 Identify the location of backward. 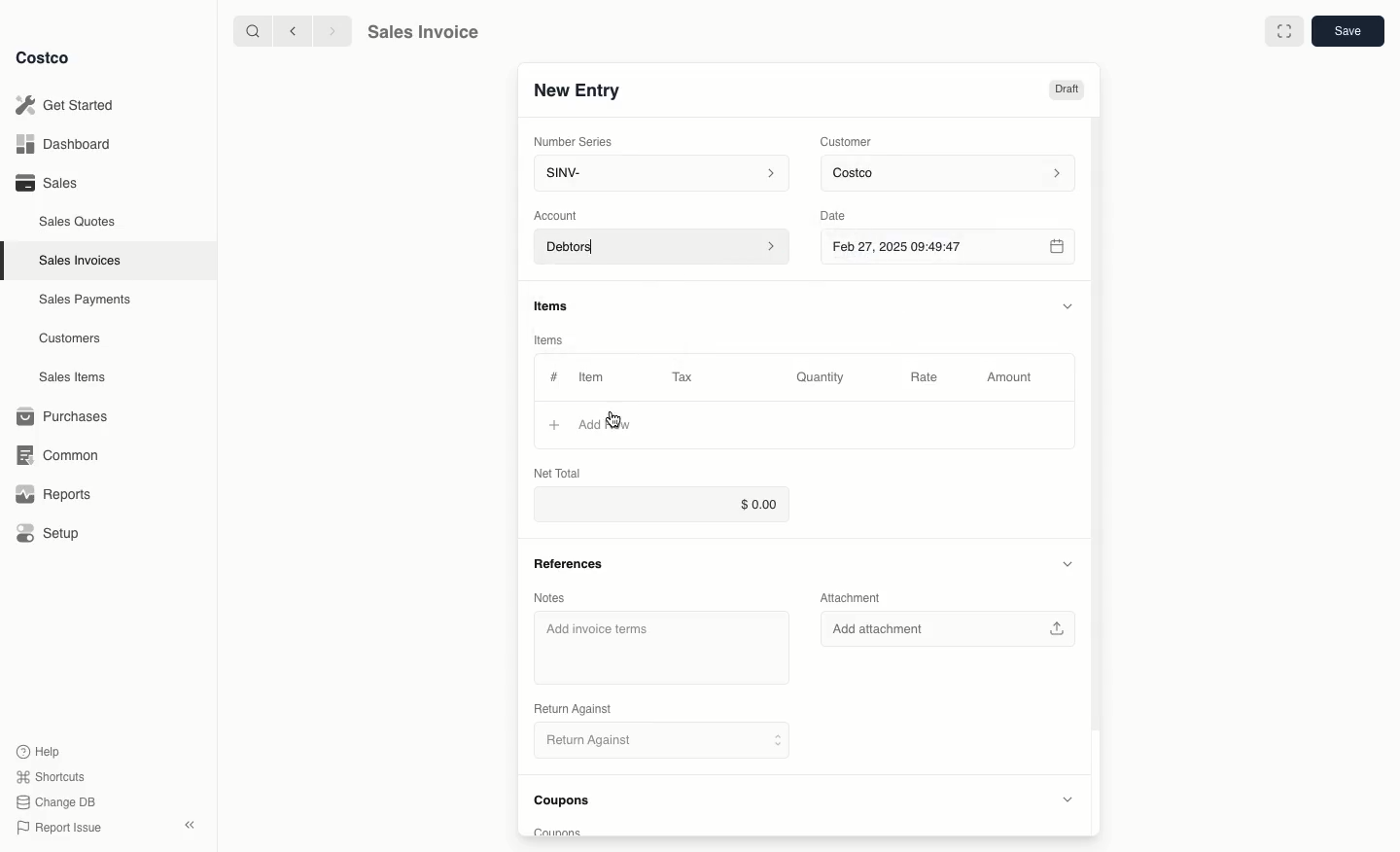
(289, 30).